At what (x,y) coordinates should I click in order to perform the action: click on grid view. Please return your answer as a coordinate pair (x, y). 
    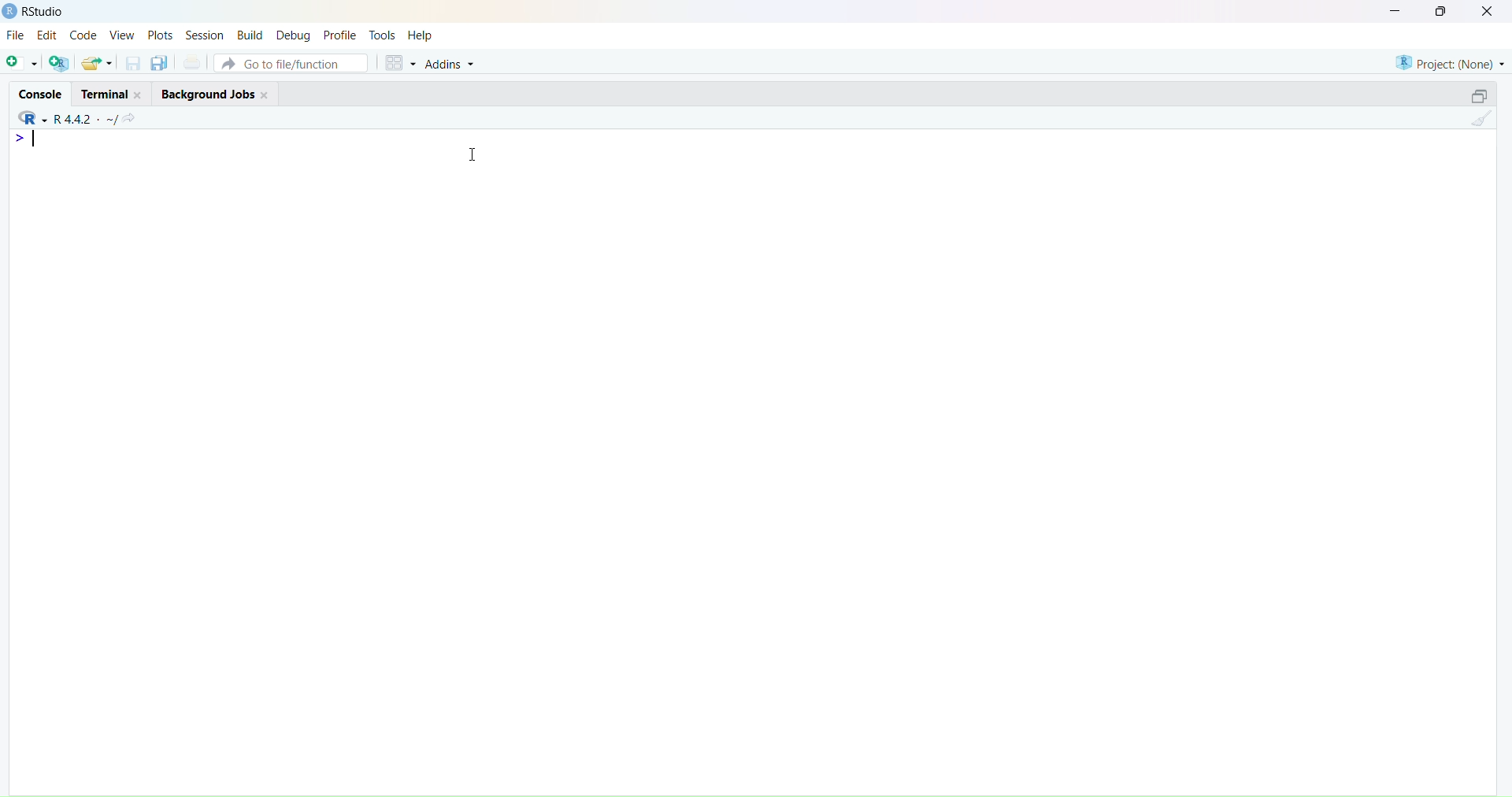
    Looking at the image, I should click on (401, 63).